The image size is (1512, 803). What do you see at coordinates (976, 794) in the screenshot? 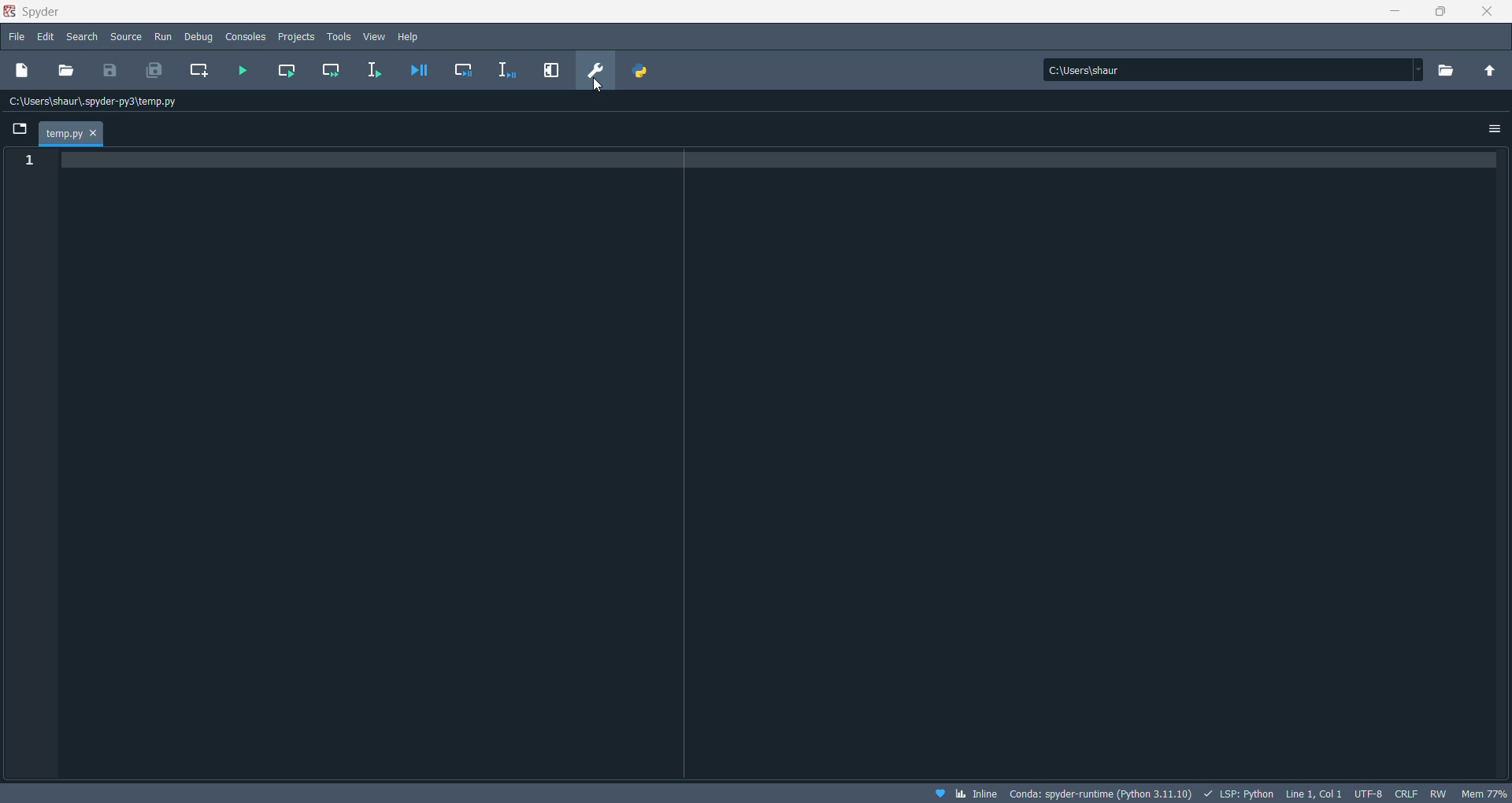
I see `inline` at bounding box center [976, 794].